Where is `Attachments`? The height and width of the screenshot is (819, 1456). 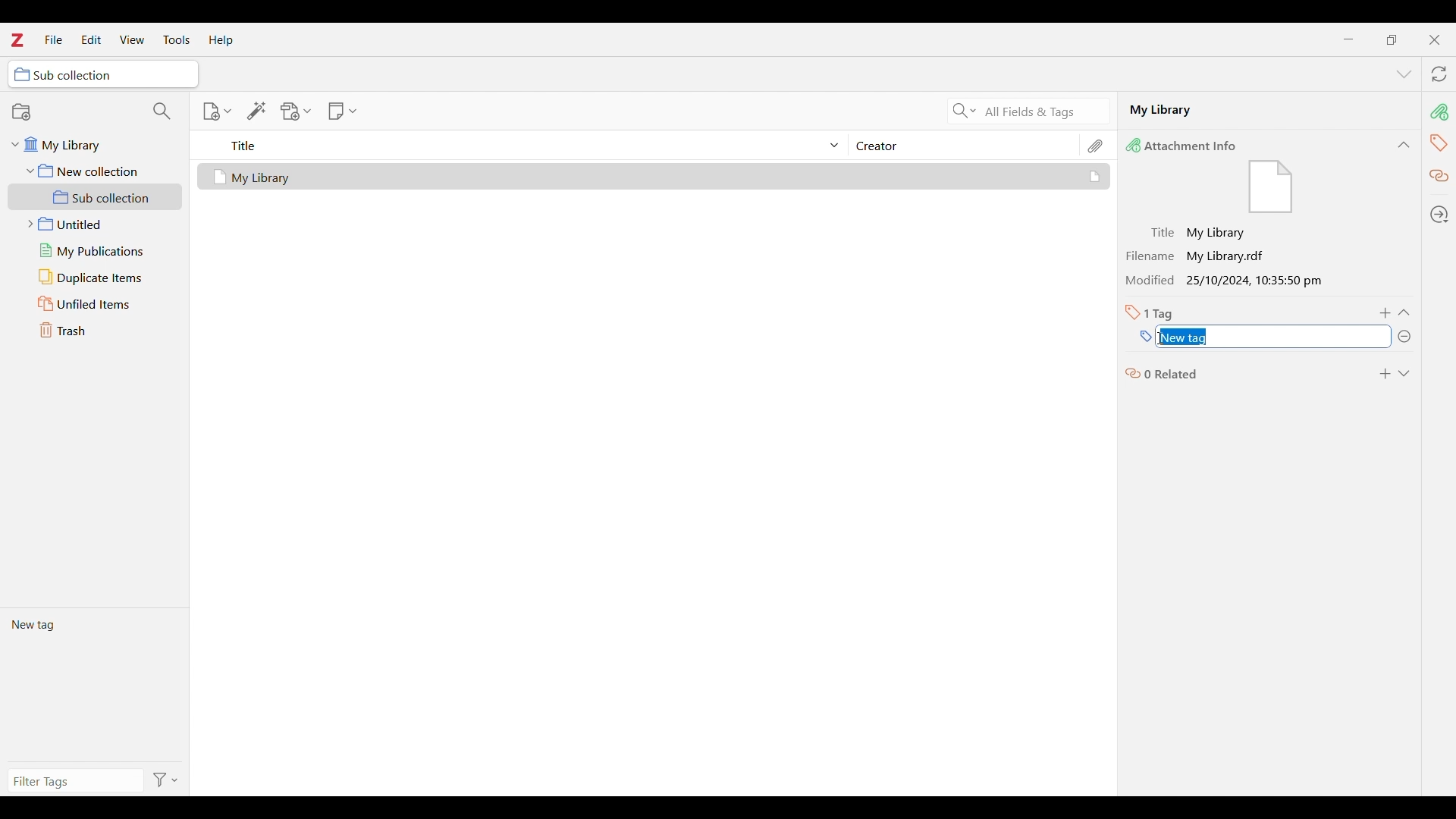 Attachments is located at coordinates (1097, 146).